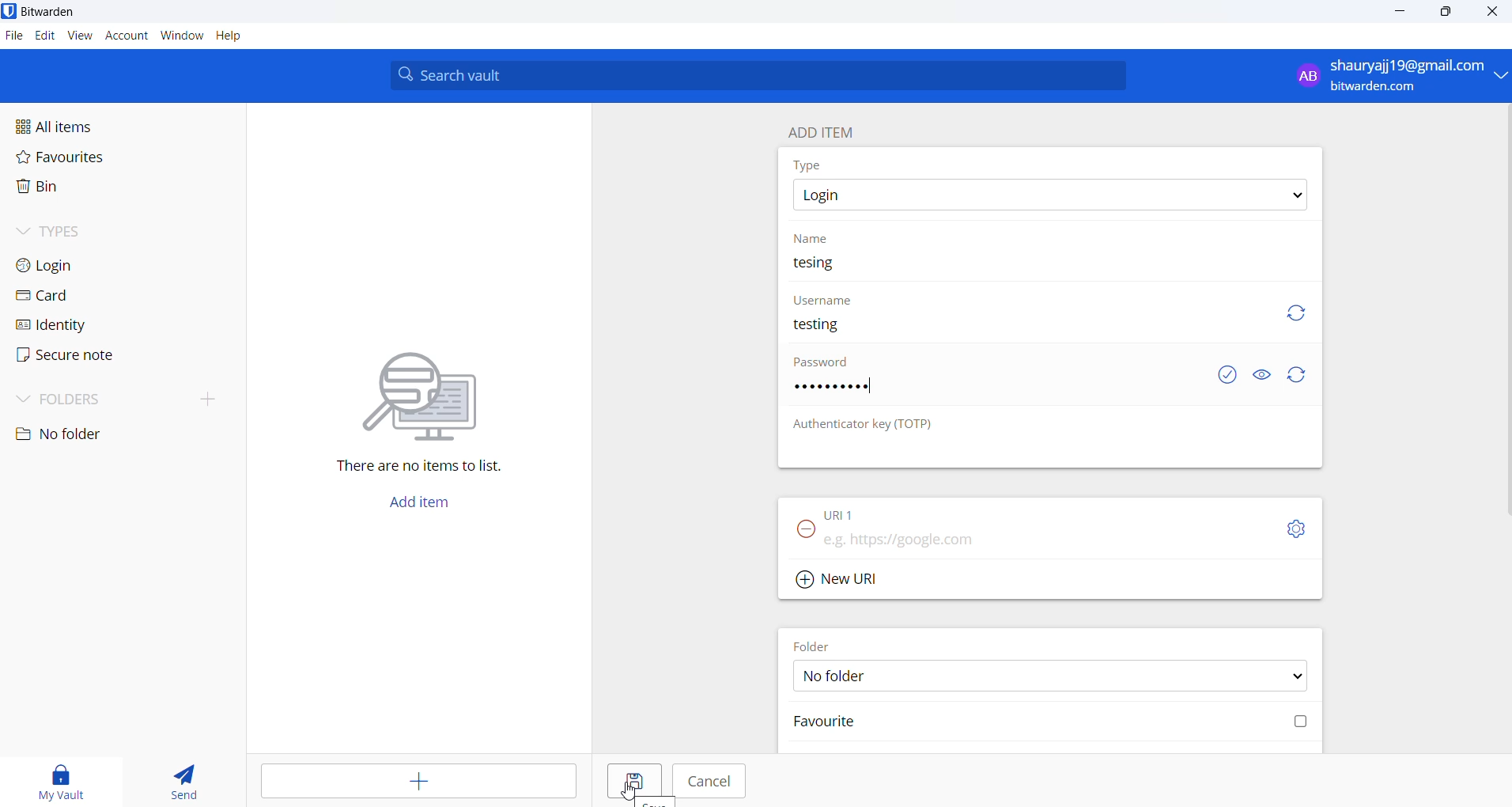 The image size is (1512, 807). I want to click on maximize, so click(1443, 13).